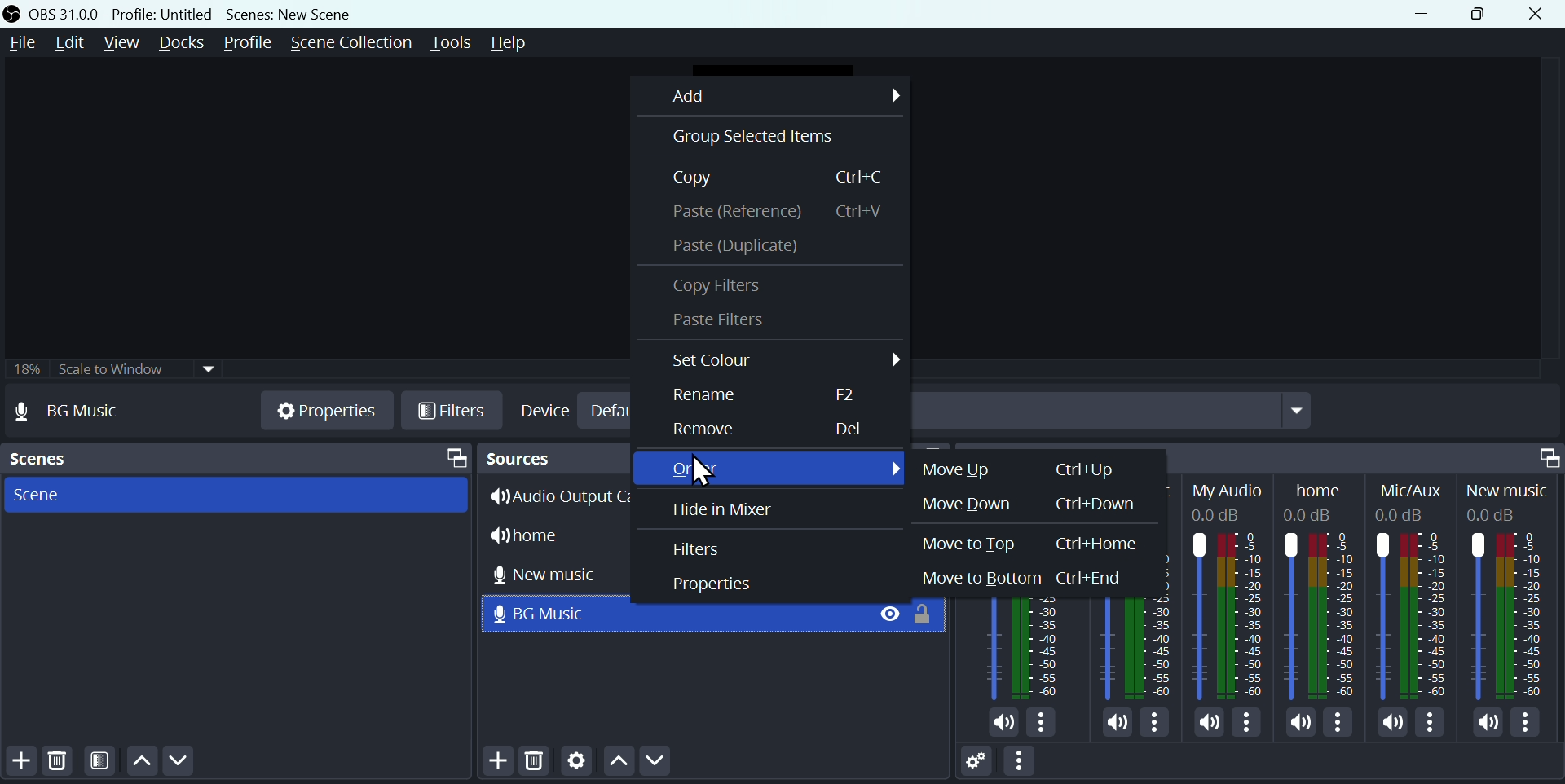 The width and height of the screenshot is (1565, 784). Describe the element at coordinates (1325, 588) in the screenshot. I see `Home` at that location.